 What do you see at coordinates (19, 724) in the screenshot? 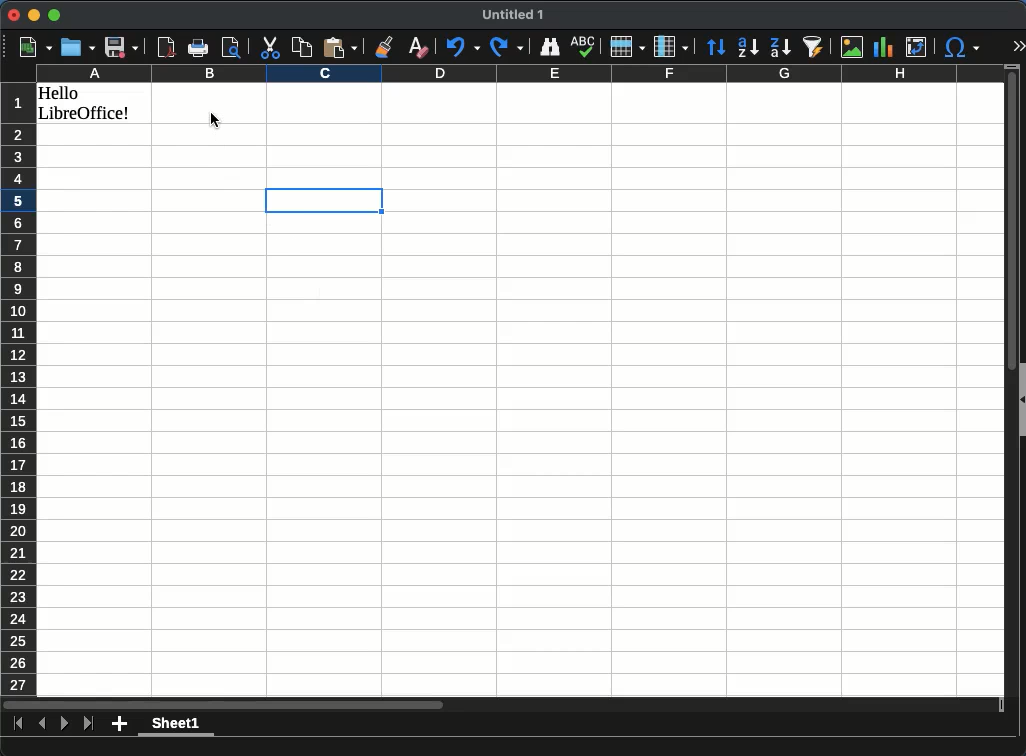
I see `last sheet` at bounding box center [19, 724].